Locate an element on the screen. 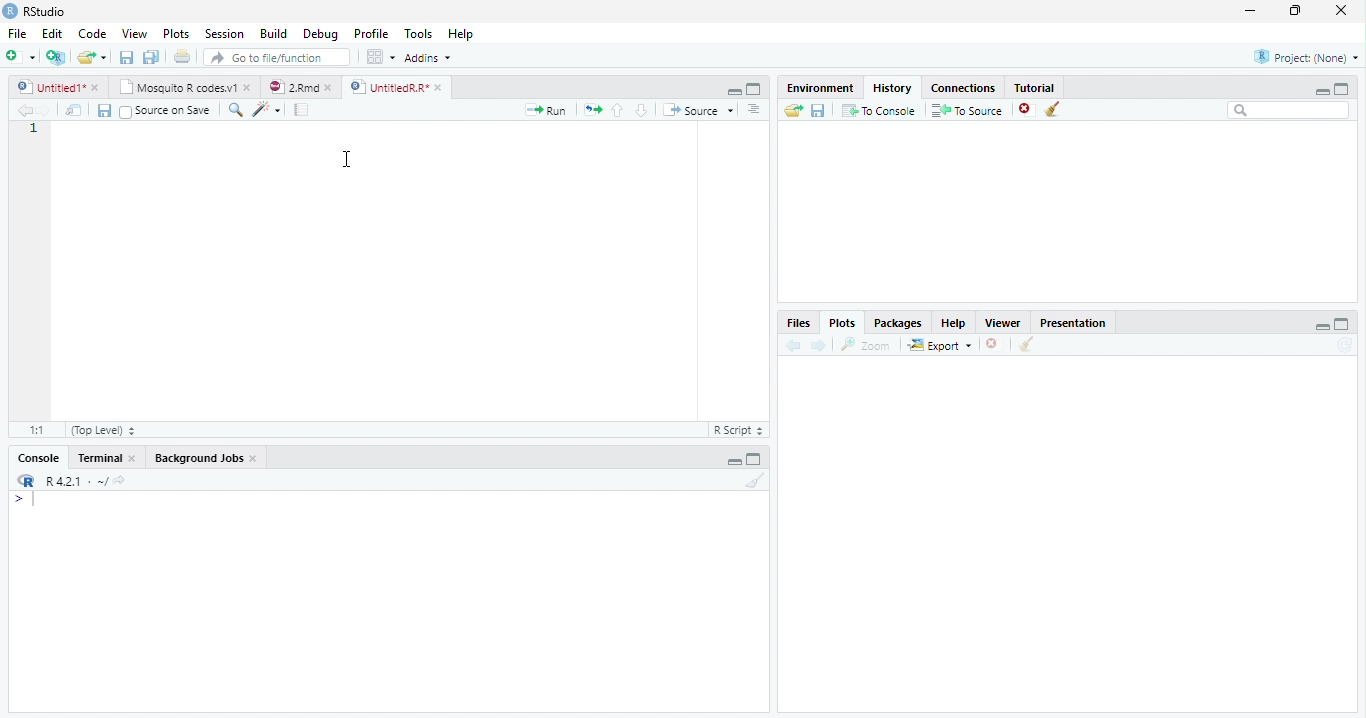 Image resolution: width=1366 pixels, height=718 pixels. R is located at coordinates (26, 481).